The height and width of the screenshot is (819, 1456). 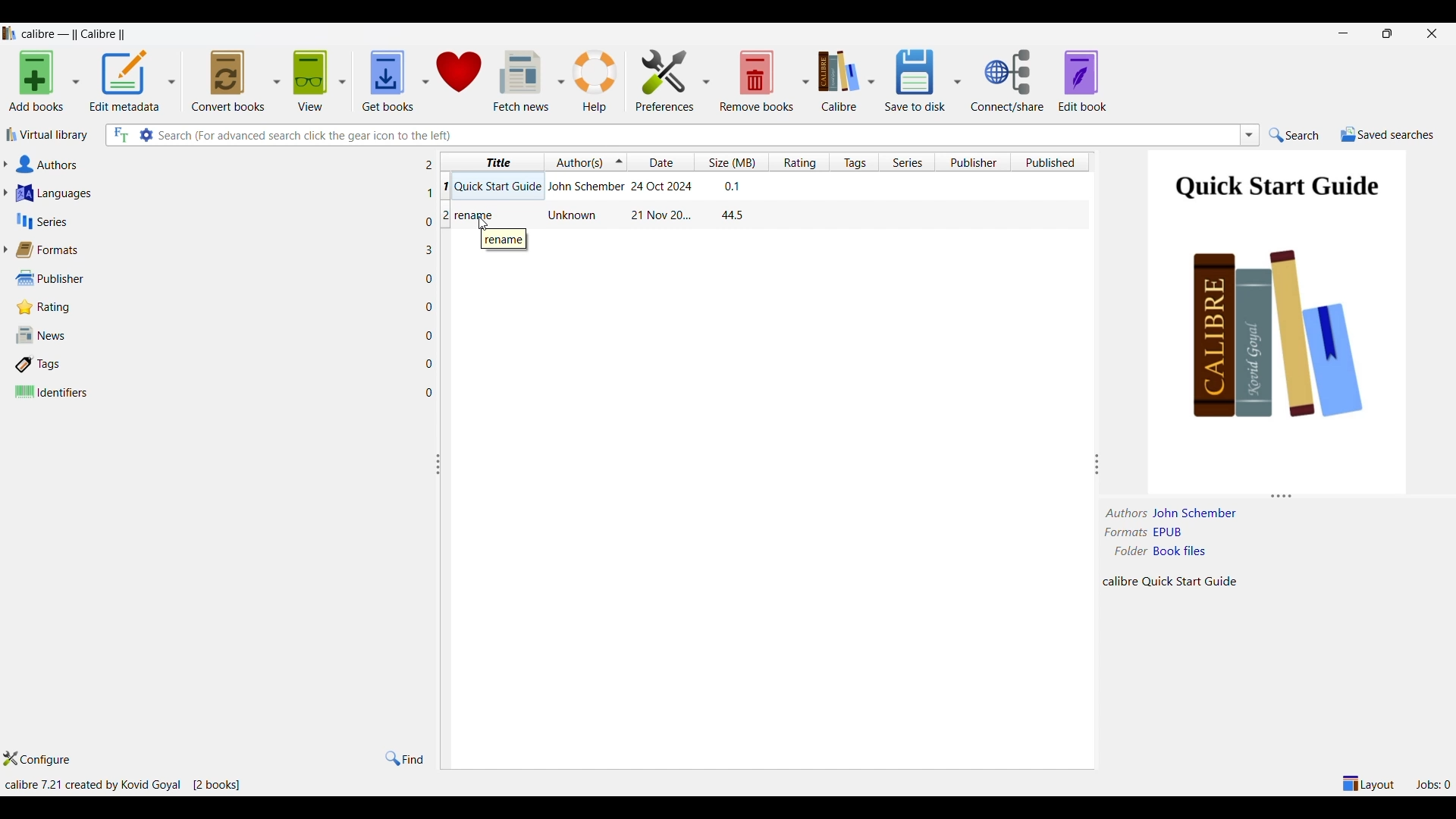 I want to click on Authors column, current sorting, so click(x=586, y=162).